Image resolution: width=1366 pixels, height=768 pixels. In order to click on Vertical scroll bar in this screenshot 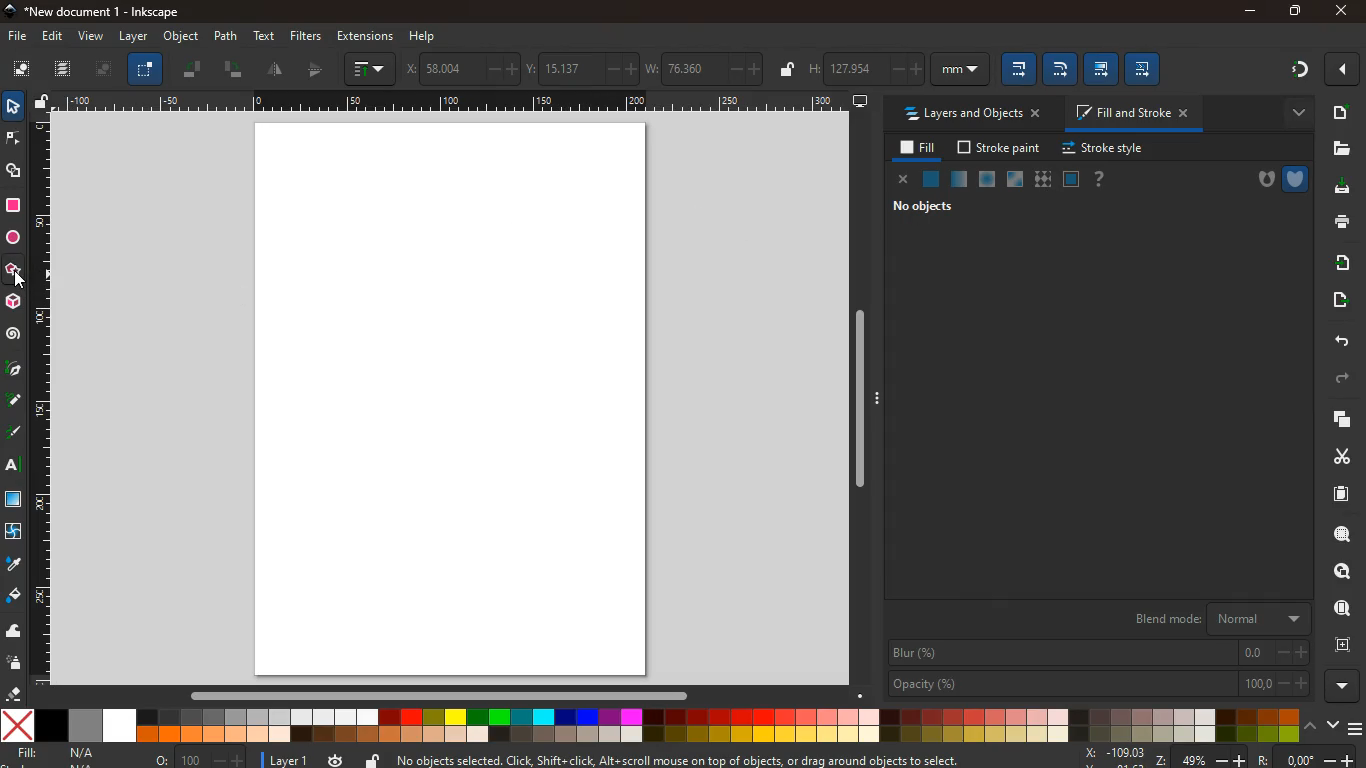, I will do `click(863, 402)`.